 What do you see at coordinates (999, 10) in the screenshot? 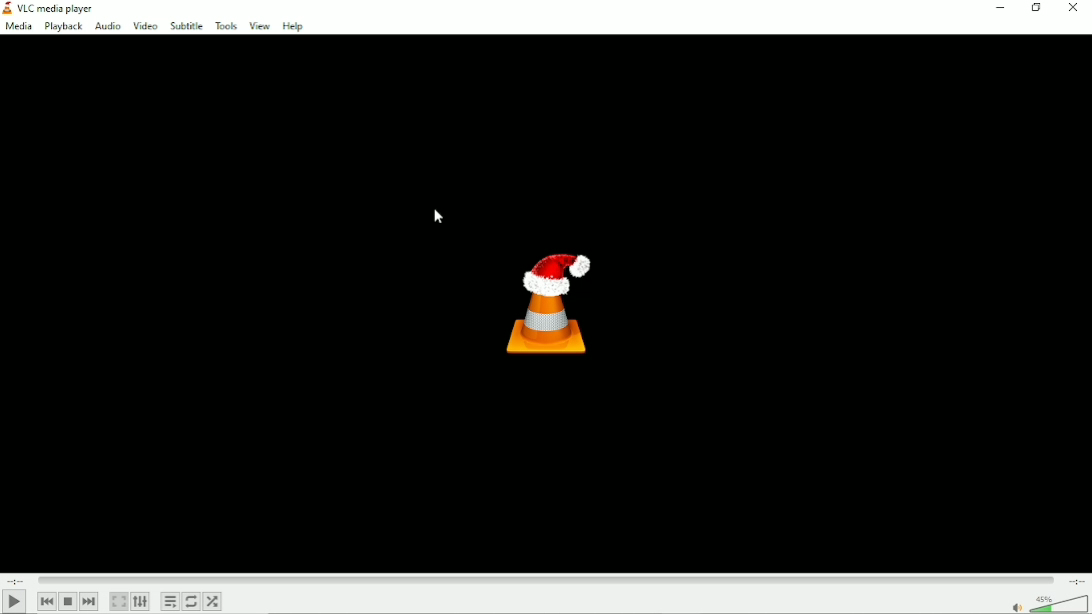
I see `Minimize` at bounding box center [999, 10].